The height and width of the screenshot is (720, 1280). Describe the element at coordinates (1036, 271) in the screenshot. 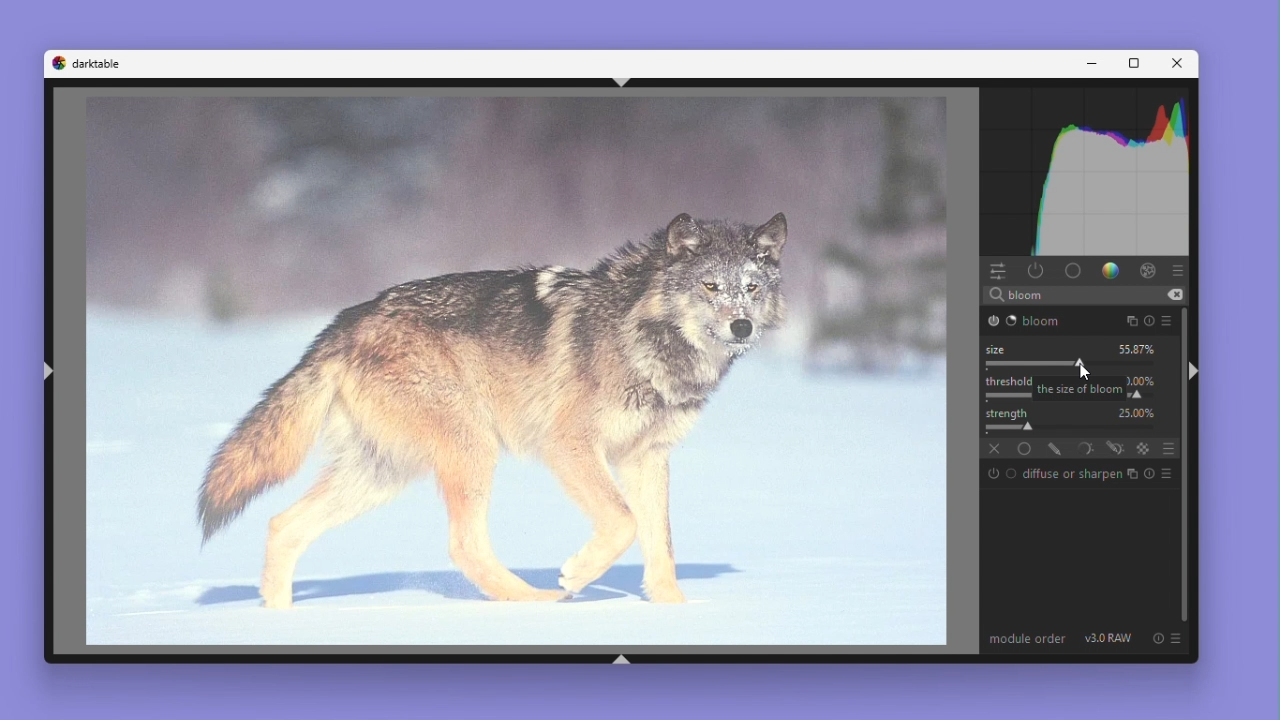

I see `Show only active modules` at that location.